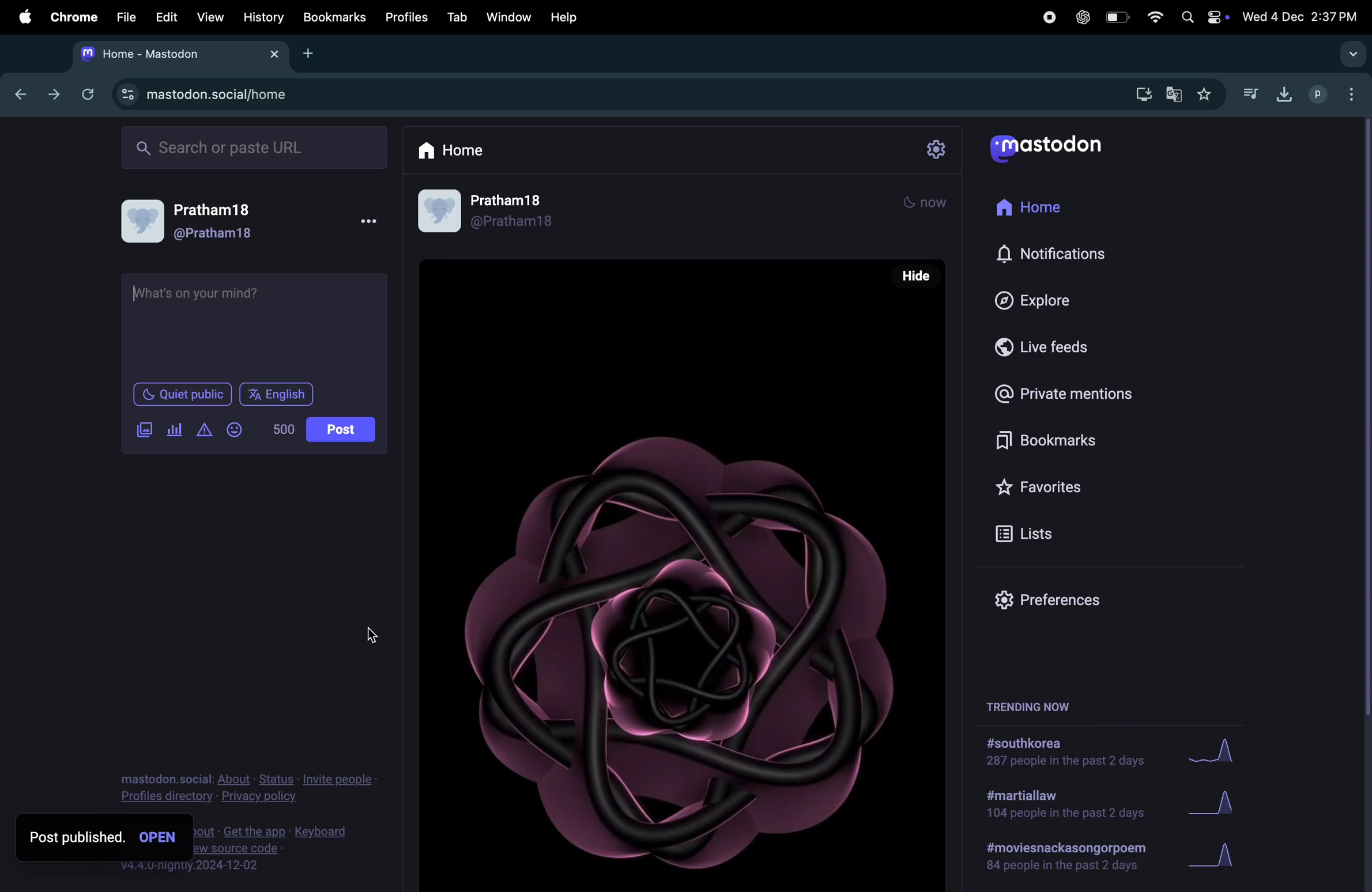 The height and width of the screenshot is (892, 1372). Describe the element at coordinates (291, 846) in the screenshot. I see `view source code` at that location.